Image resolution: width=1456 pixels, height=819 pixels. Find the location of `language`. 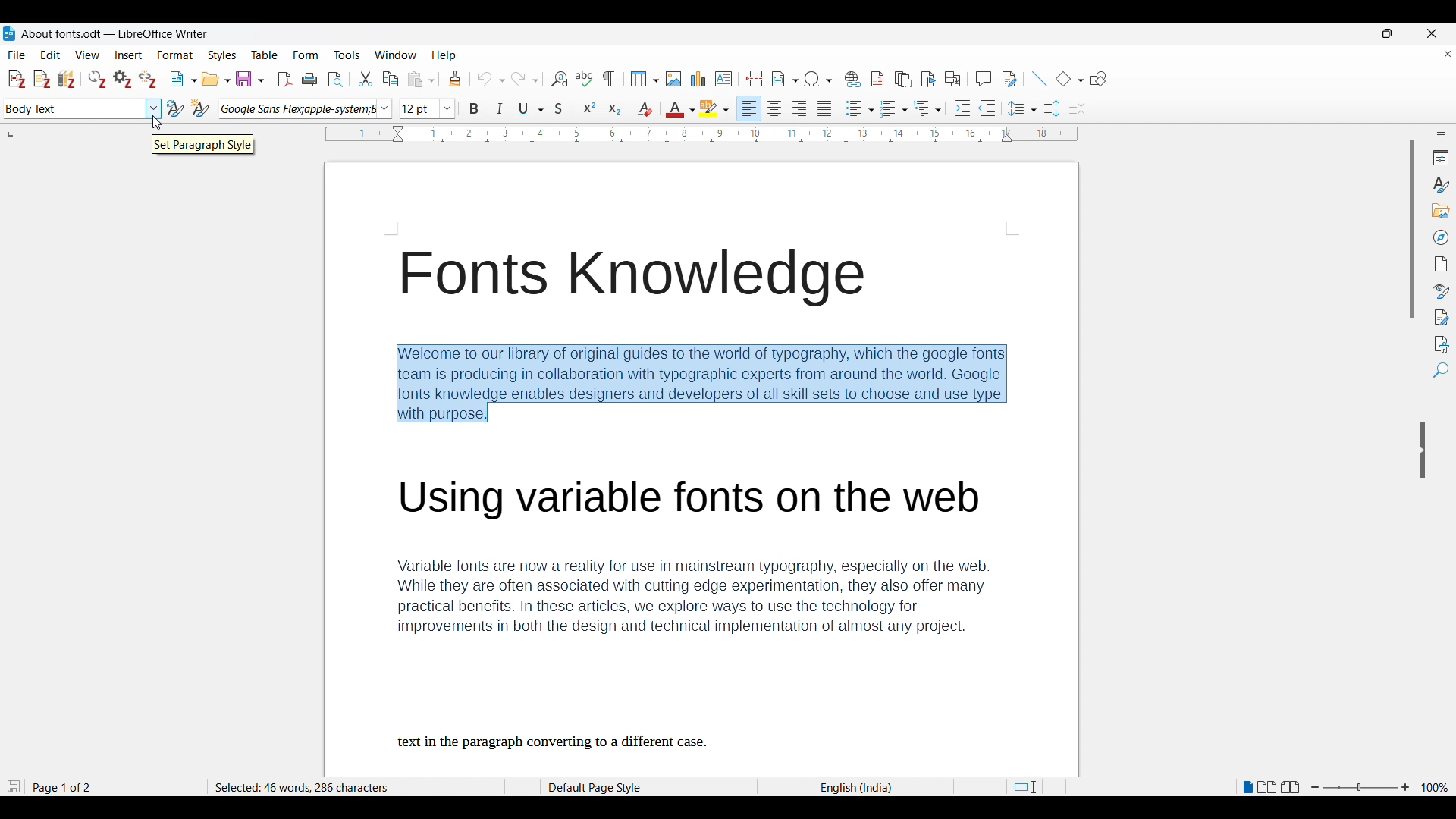

language is located at coordinates (854, 787).